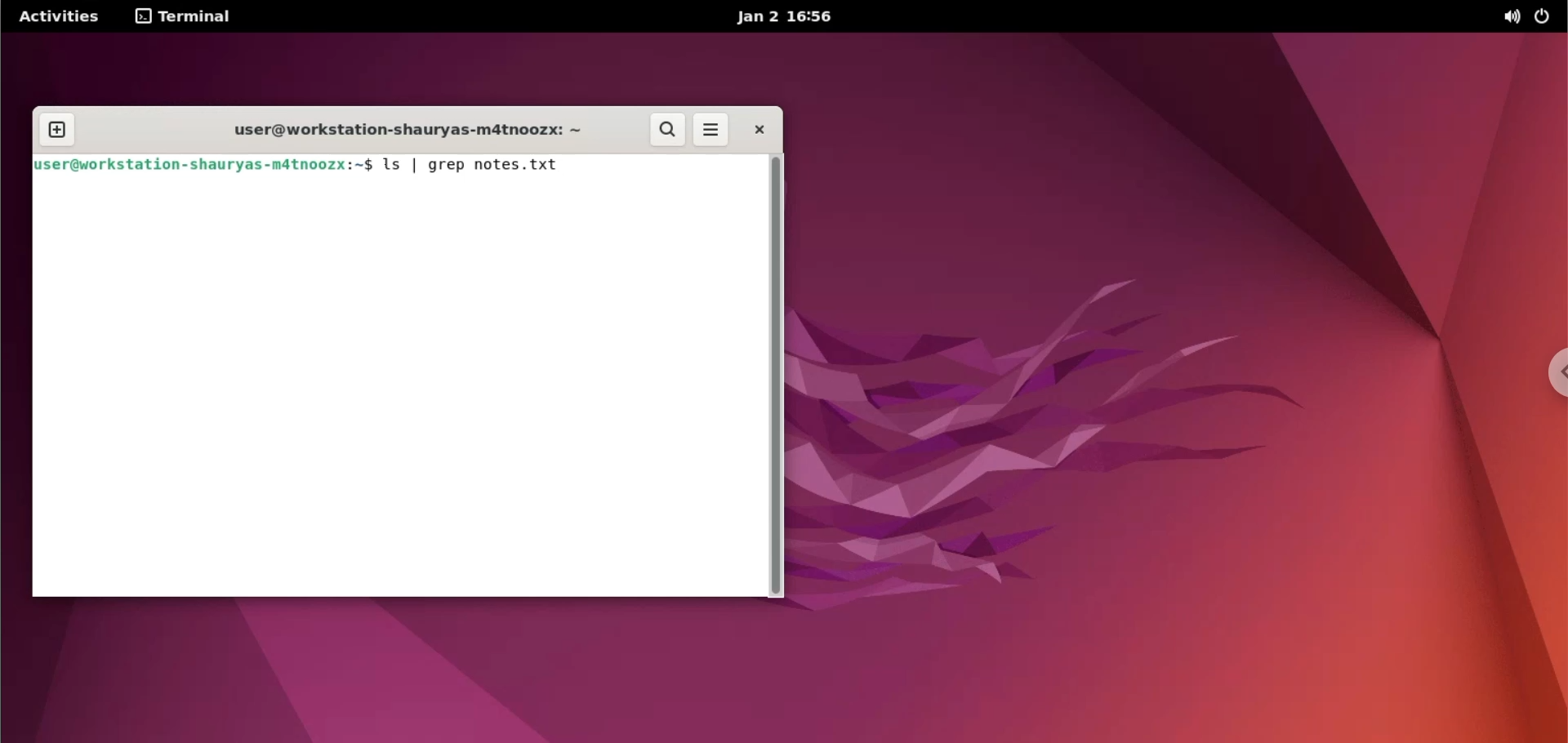 Image resolution: width=1568 pixels, height=743 pixels. I want to click on sound options, so click(1508, 17).